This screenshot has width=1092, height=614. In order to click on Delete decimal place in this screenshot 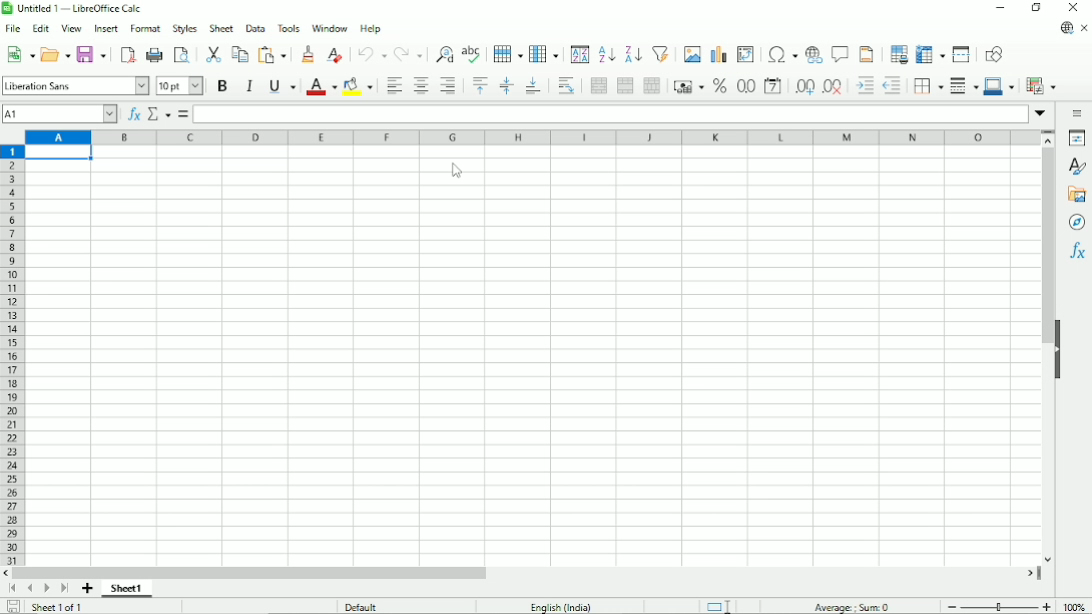, I will do `click(833, 88)`.